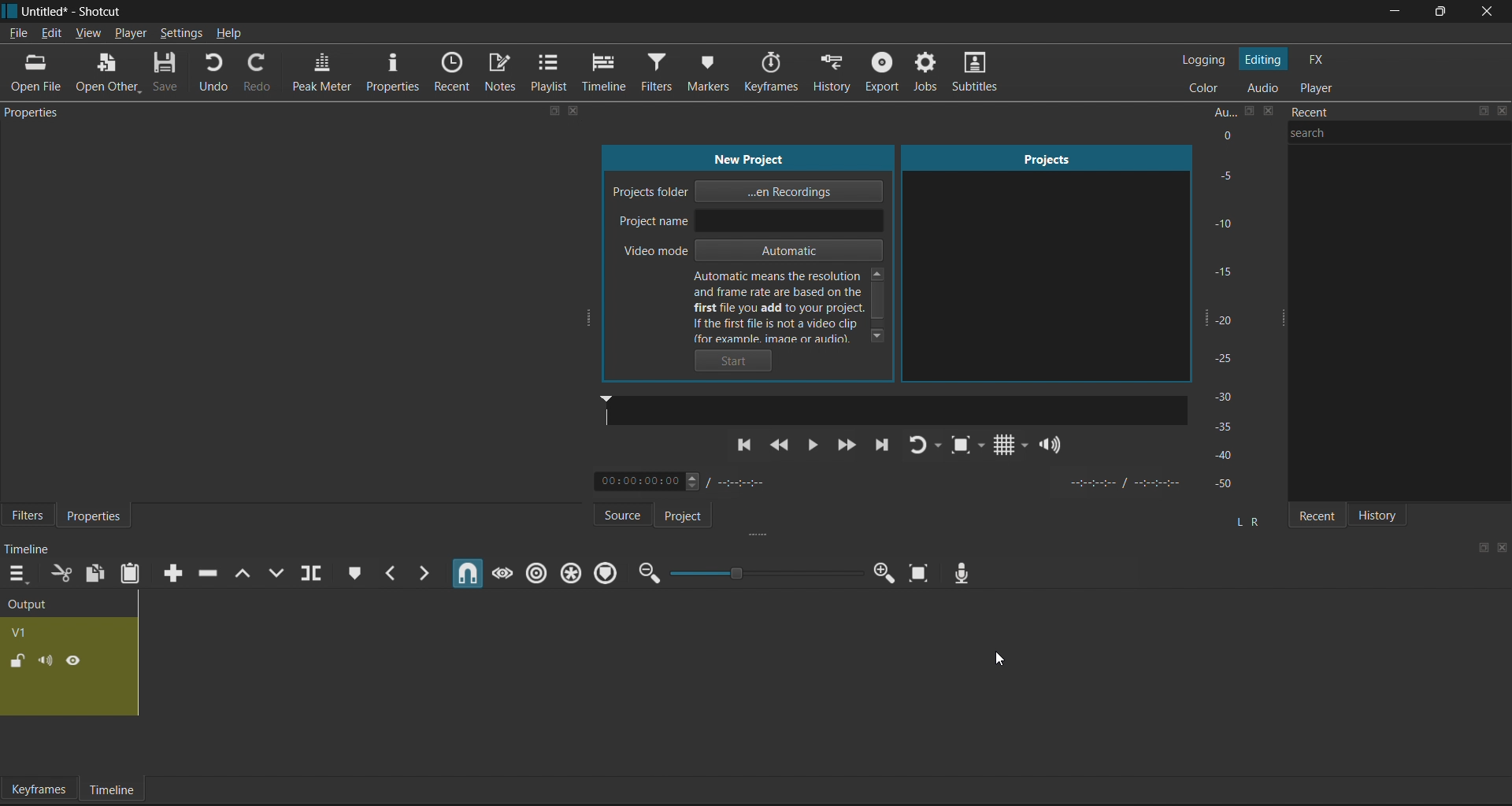 The width and height of the screenshot is (1512, 806). What do you see at coordinates (260, 75) in the screenshot?
I see `Redo` at bounding box center [260, 75].